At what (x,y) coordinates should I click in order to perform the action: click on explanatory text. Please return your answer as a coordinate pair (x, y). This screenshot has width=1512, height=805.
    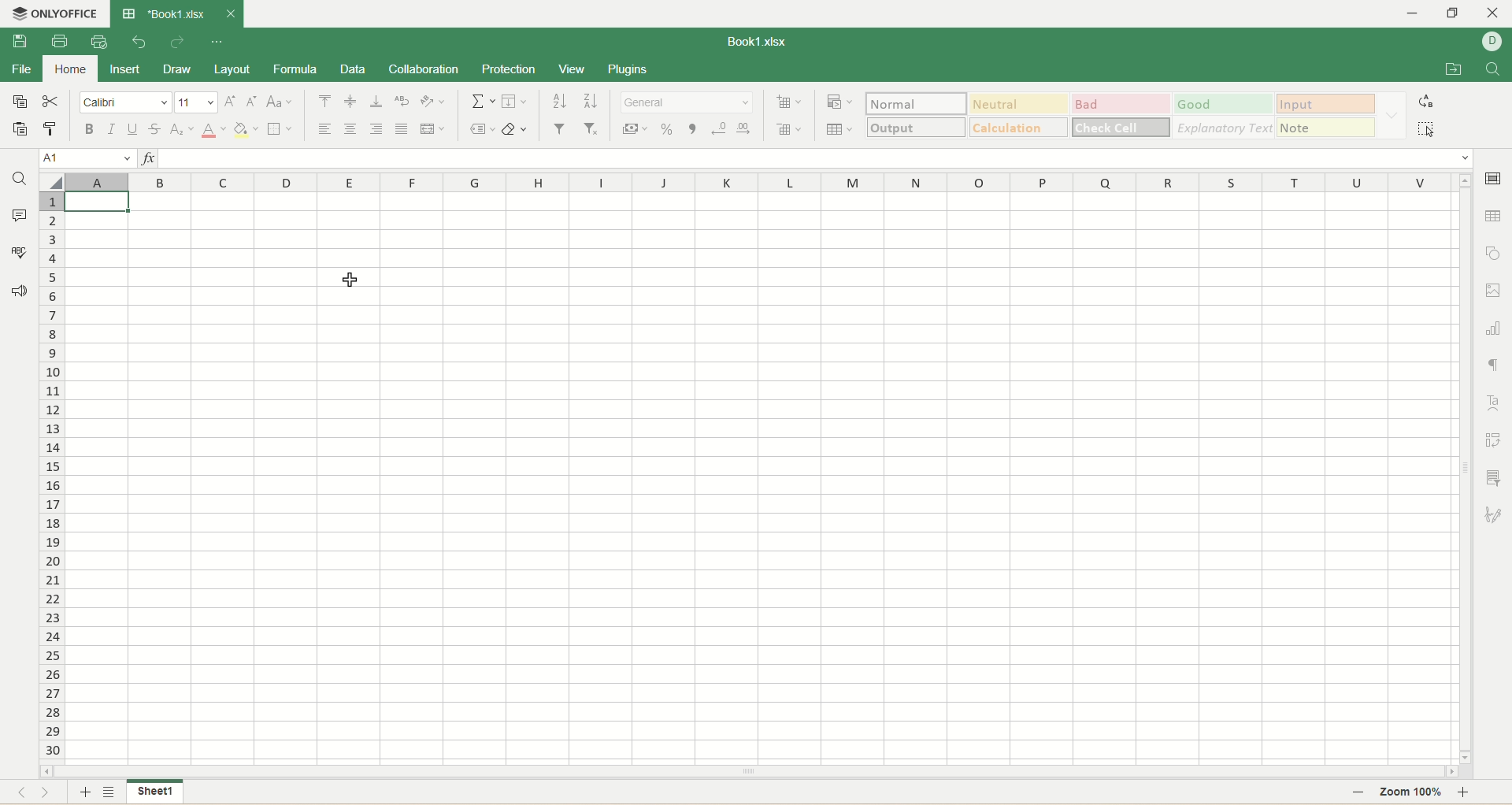
    Looking at the image, I should click on (1224, 129).